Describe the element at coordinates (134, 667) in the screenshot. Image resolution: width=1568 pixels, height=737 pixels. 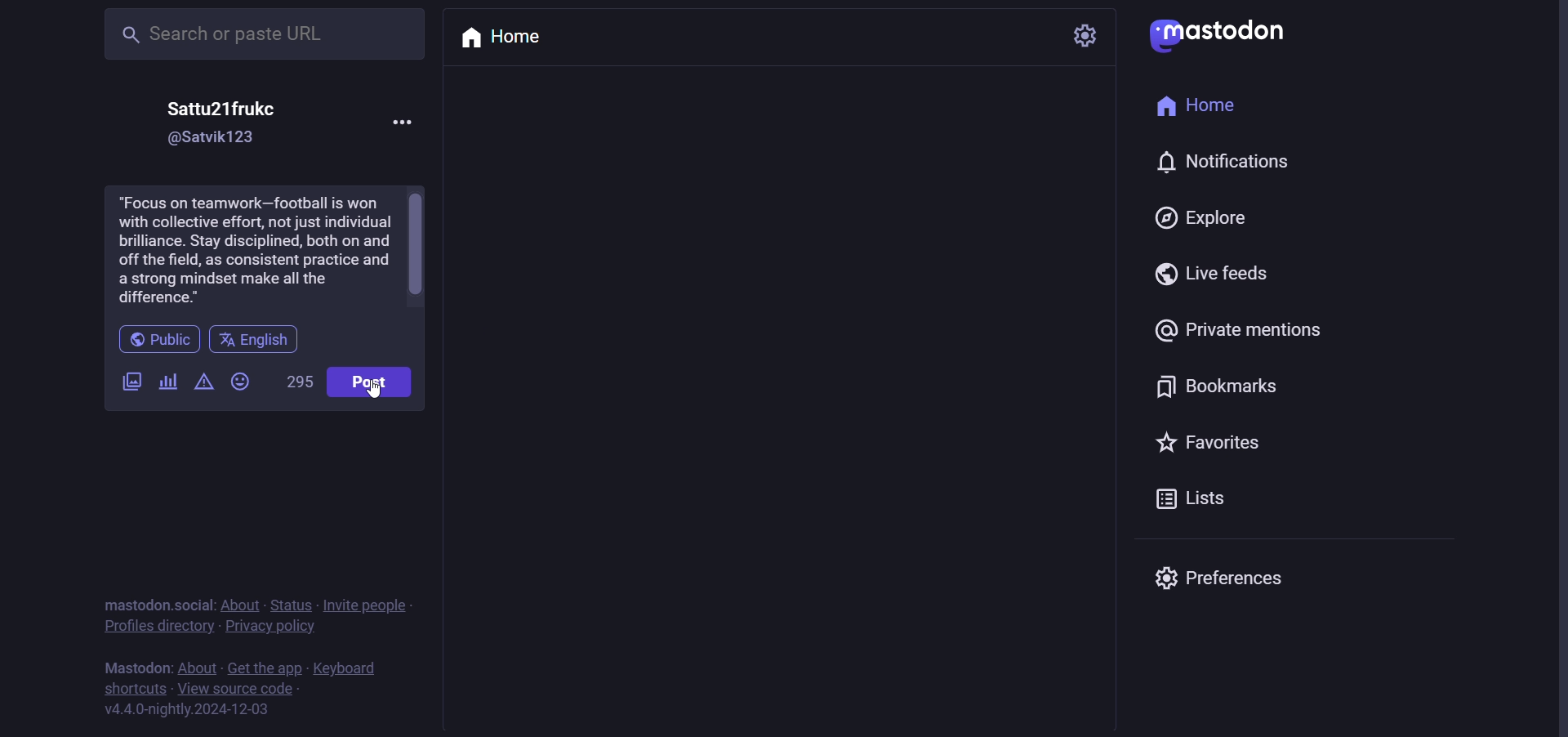
I see `mastodon` at that location.